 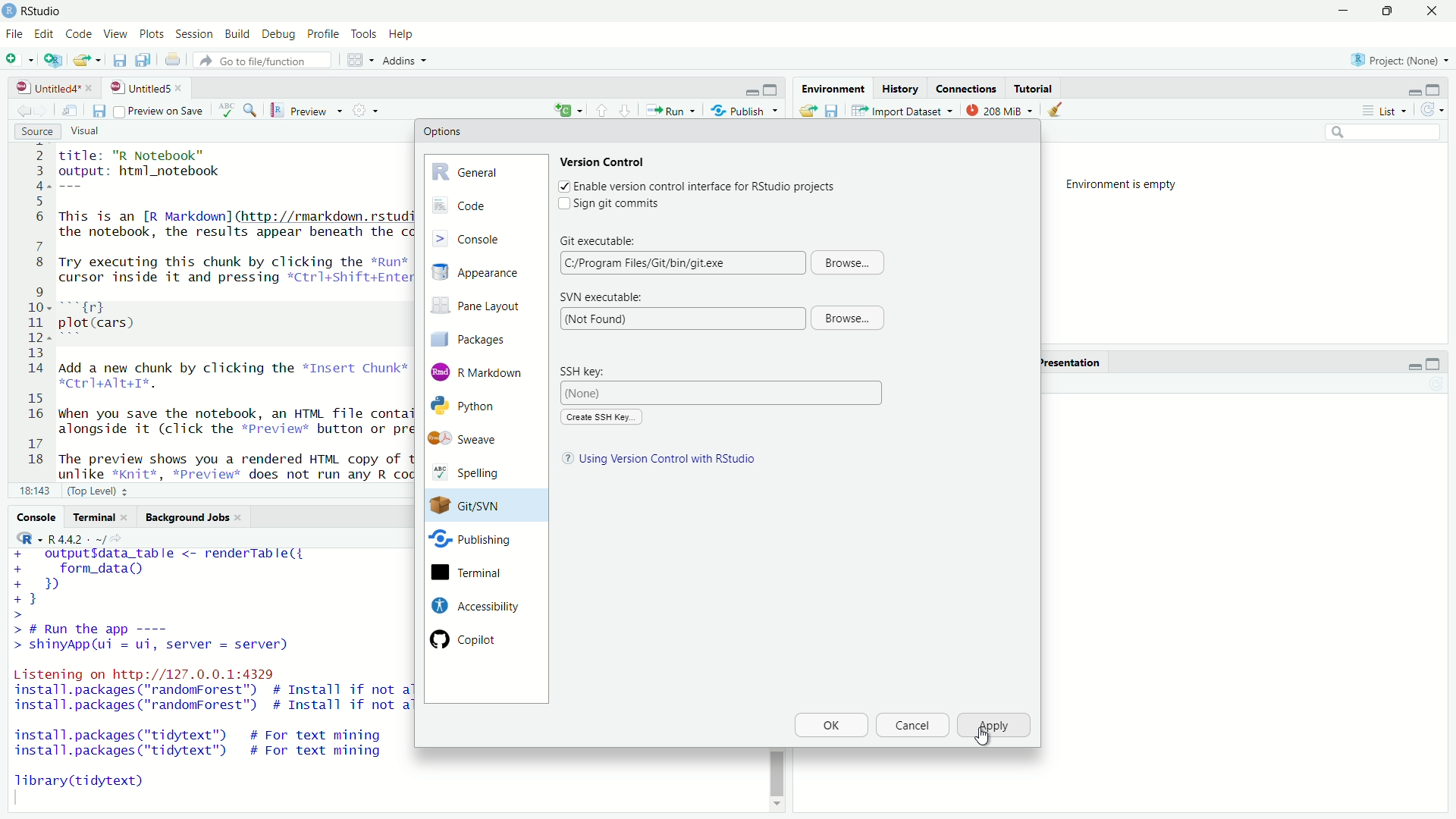 What do you see at coordinates (473, 605) in the screenshot?
I see `Accessibility` at bounding box center [473, 605].